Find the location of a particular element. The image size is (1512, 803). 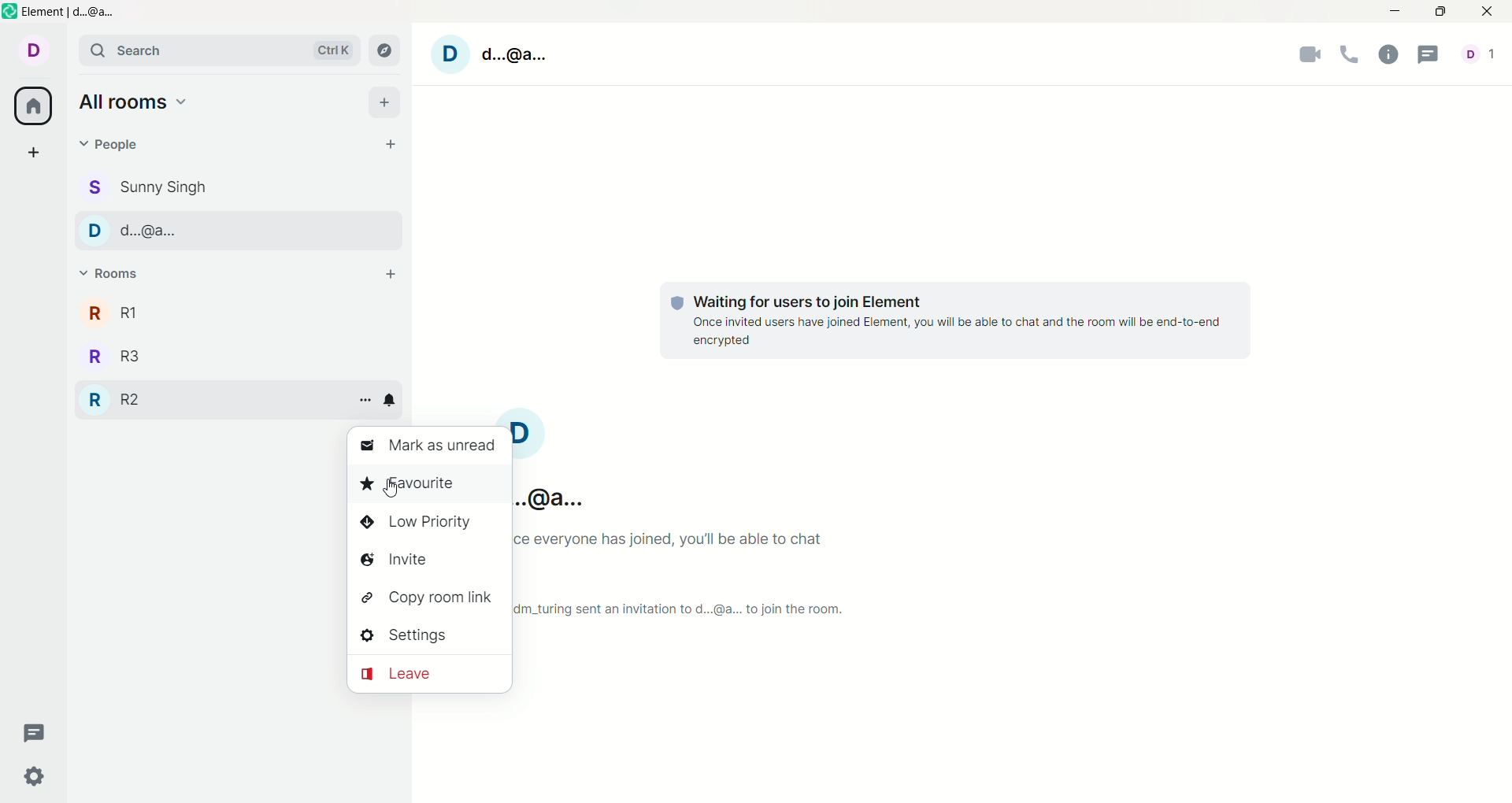

minimize is located at coordinates (1396, 9).